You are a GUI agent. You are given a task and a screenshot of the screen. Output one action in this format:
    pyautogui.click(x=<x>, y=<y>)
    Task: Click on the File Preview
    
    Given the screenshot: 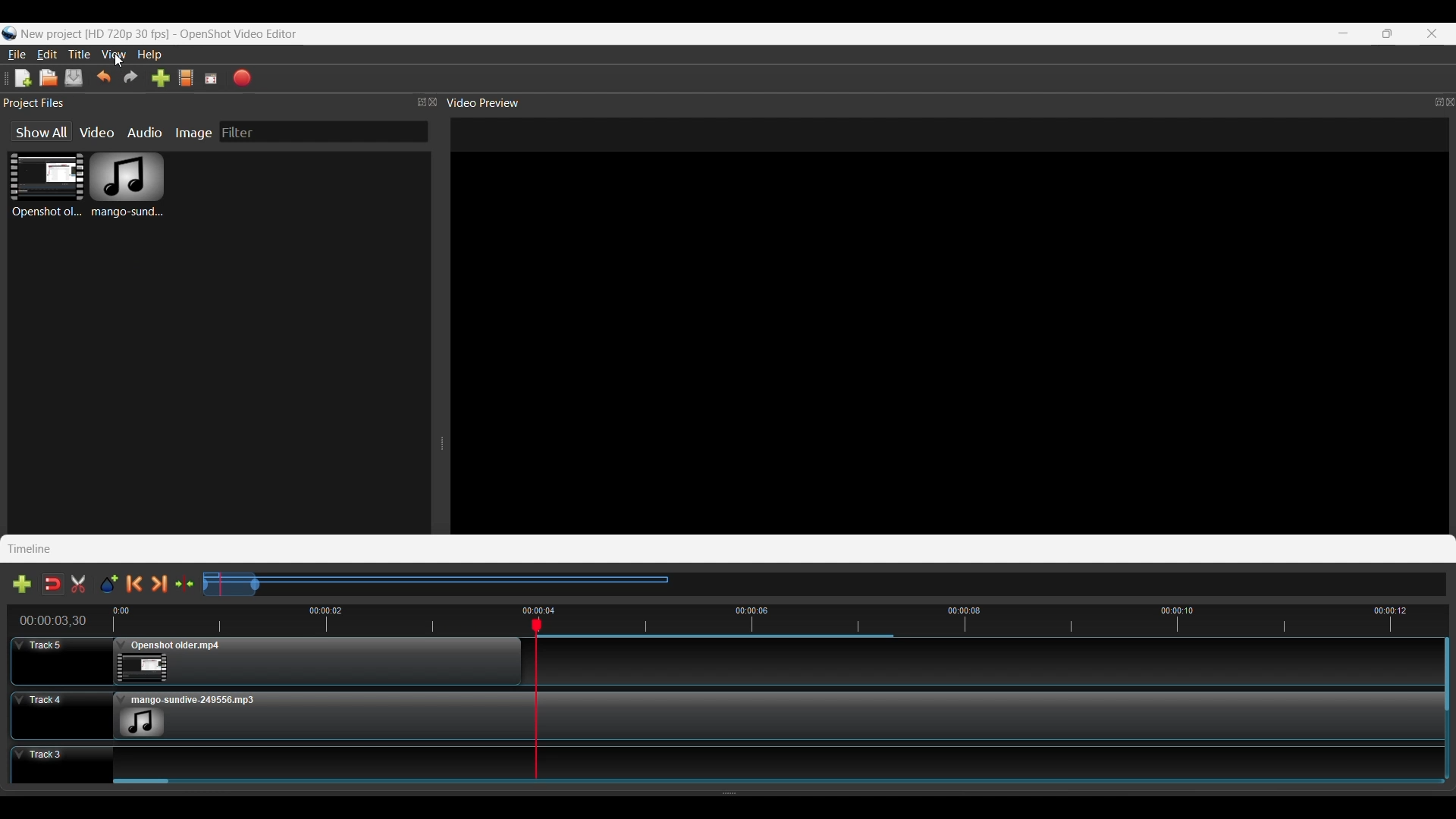 What is the action you would take?
    pyautogui.click(x=951, y=323)
    